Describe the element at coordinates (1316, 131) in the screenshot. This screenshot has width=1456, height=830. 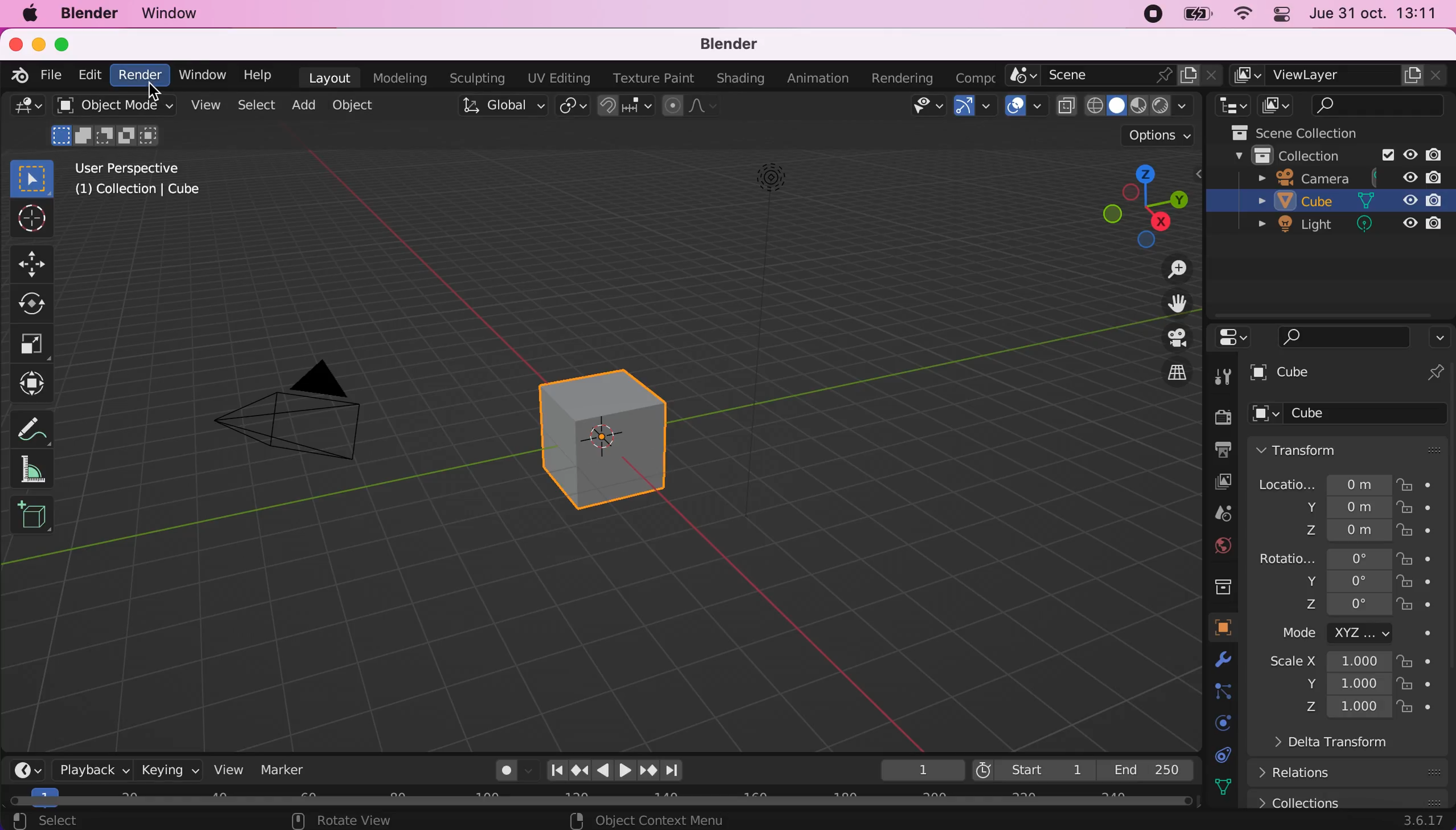
I see `scene collections` at that location.